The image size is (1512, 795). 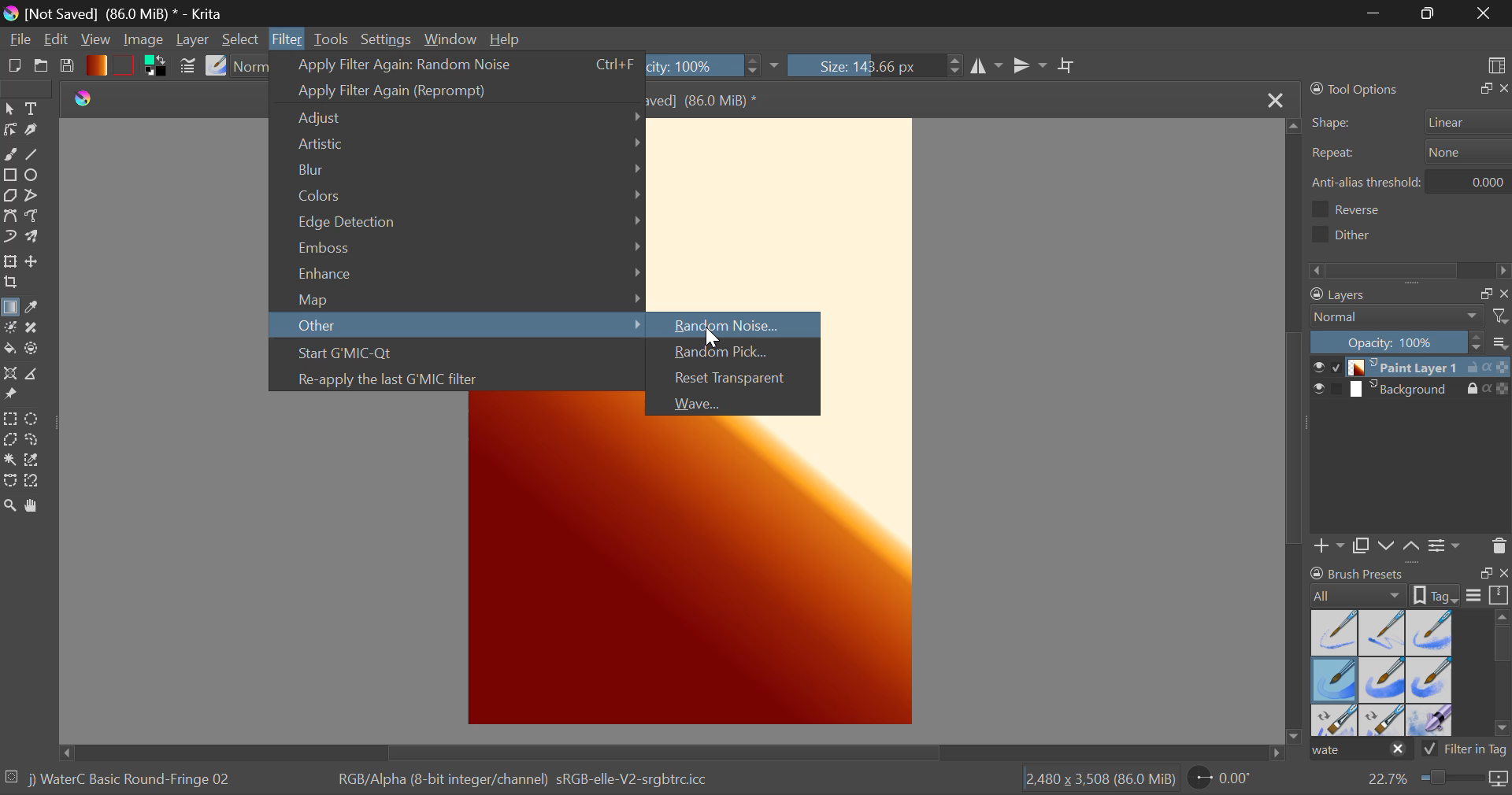 What do you see at coordinates (1484, 13) in the screenshot?
I see `Close` at bounding box center [1484, 13].